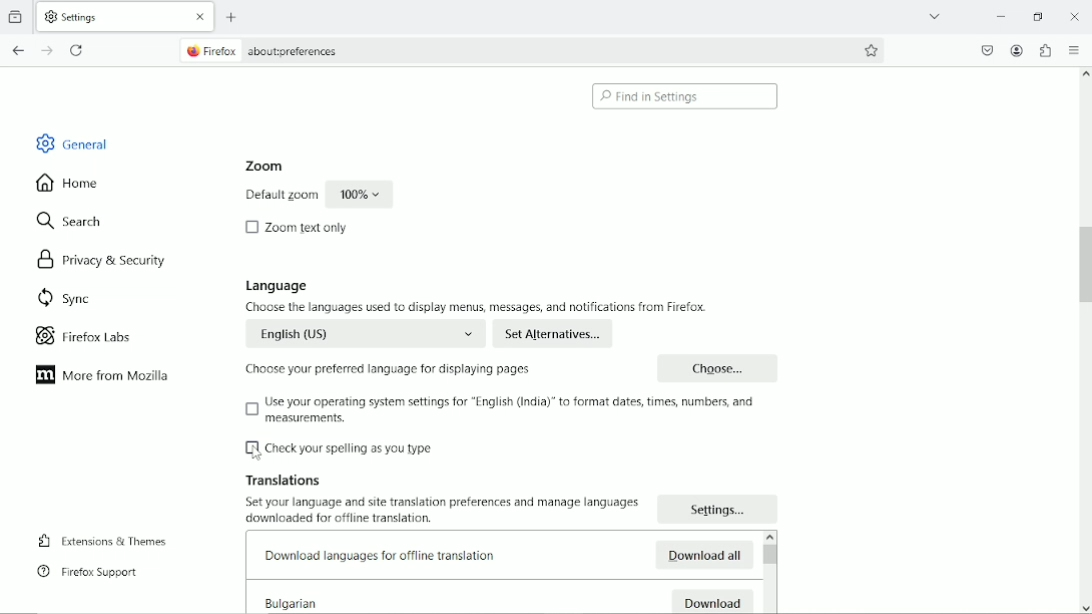 Image resolution: width=1092 pixels, height=614 pixels. Describe the element at coordinates (387, 371) in the screenshot. I see `Choose your preferred language for displaying pages.` at that location.